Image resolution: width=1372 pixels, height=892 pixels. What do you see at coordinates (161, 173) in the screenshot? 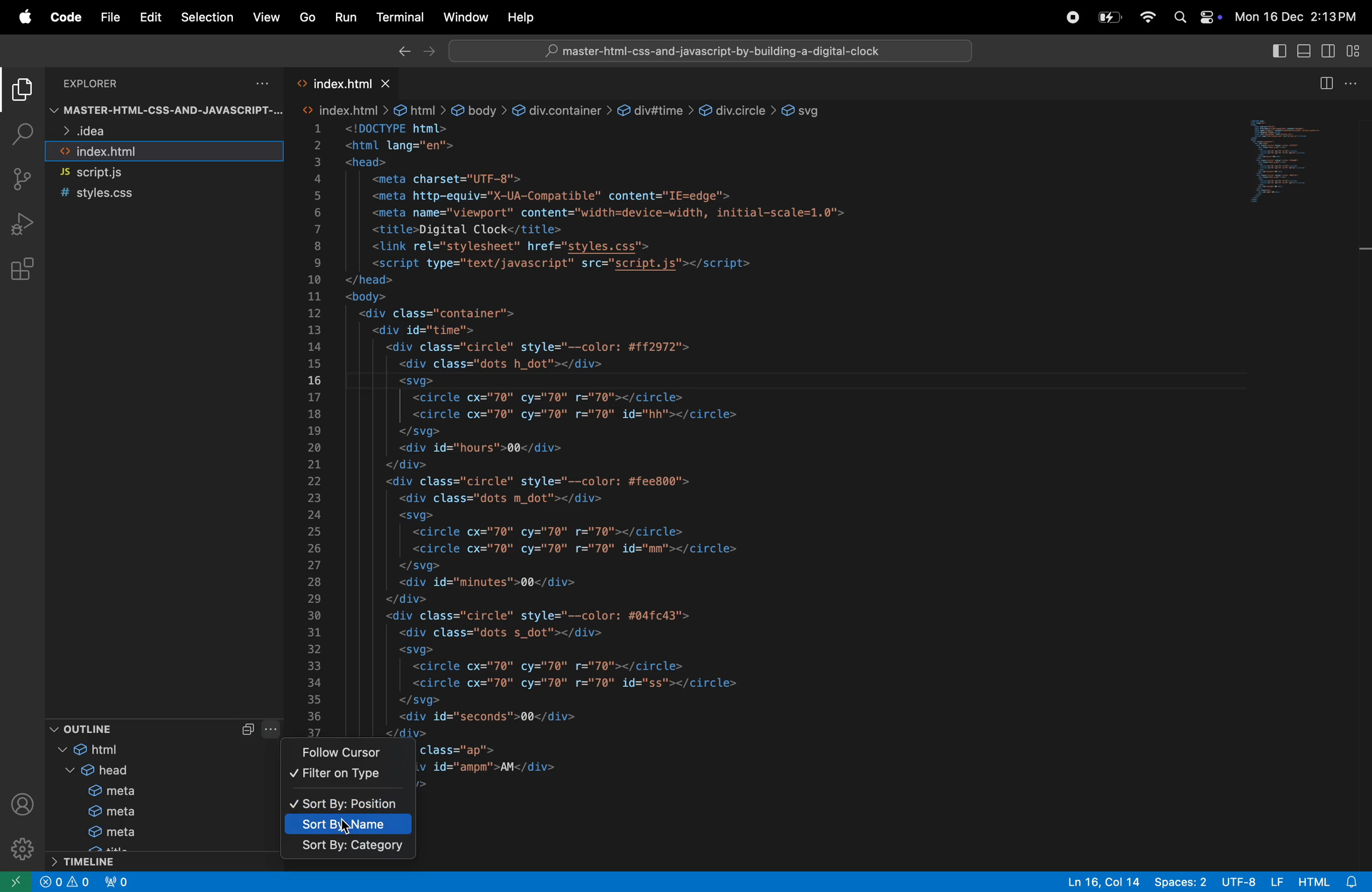
I see `script.js` at bounding box center [161, 173].